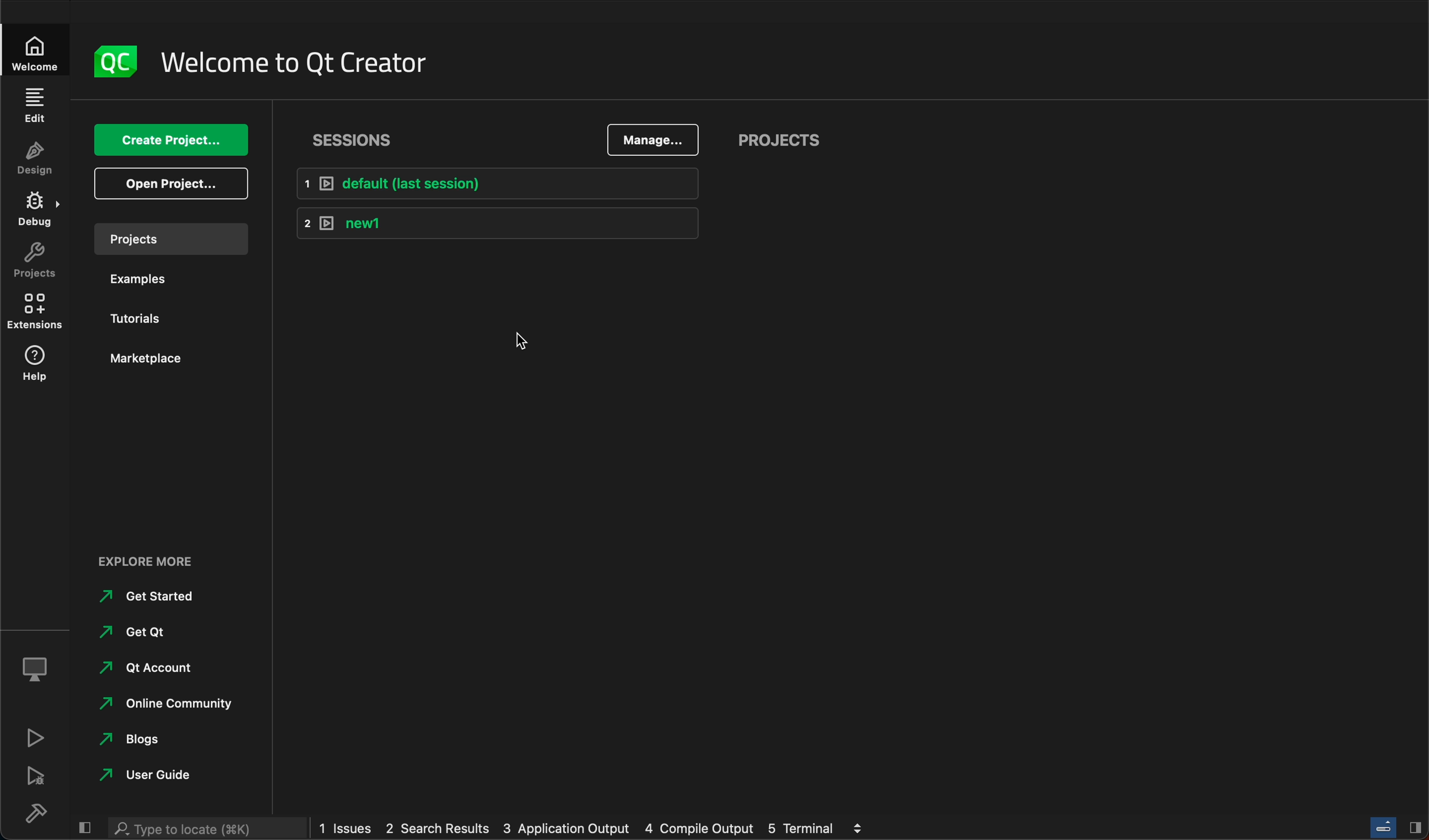  I want to click on Progress bar, so click(1384, 827).